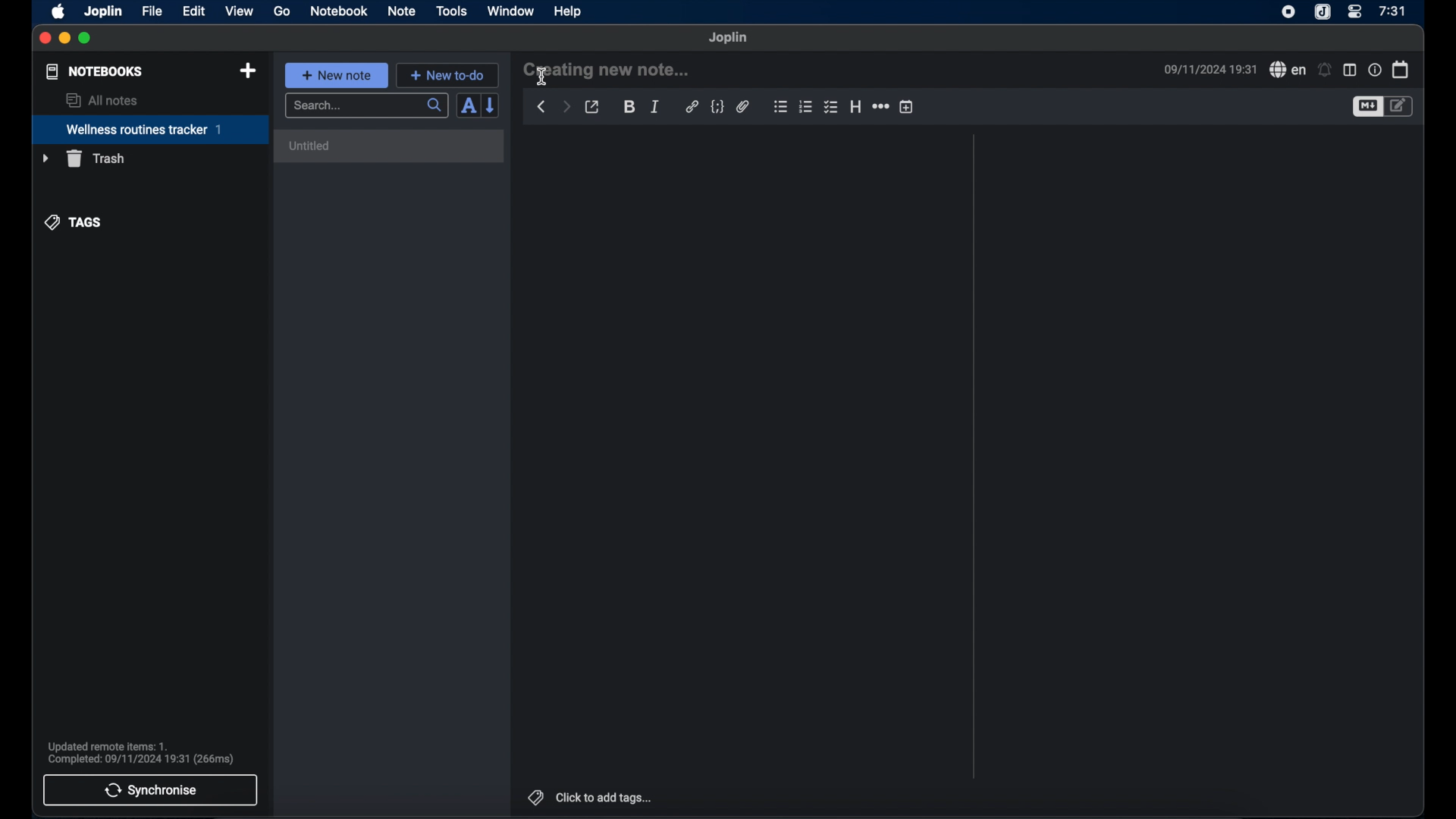 Image resolution: width=1456 pixels, height=819 pixels. I want to click on go, so click(282, 11).